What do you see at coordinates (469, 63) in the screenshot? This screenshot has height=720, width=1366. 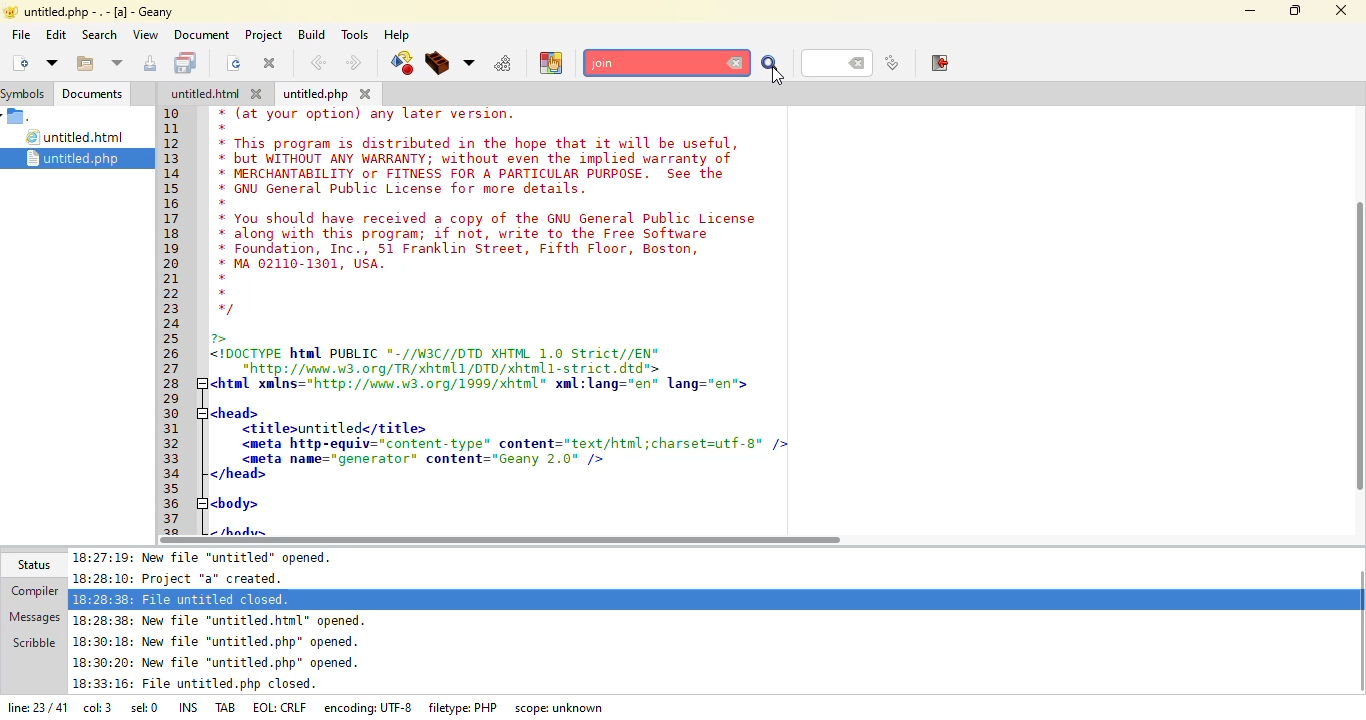 I see `choose more` at bounding box center [469, 63].